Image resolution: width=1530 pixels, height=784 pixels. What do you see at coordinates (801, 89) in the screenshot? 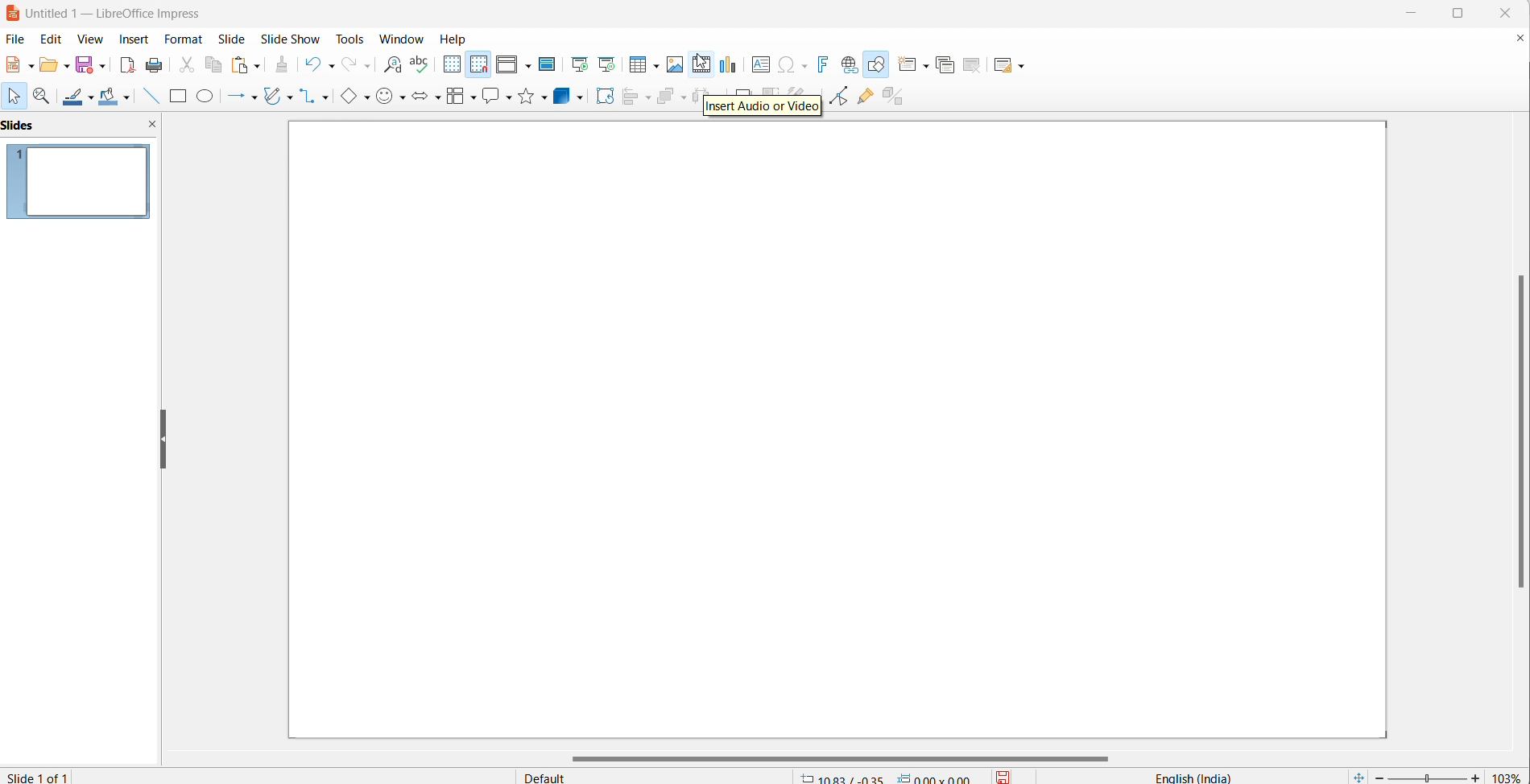
I see `distribute objects` at bounding box center [801, 89].